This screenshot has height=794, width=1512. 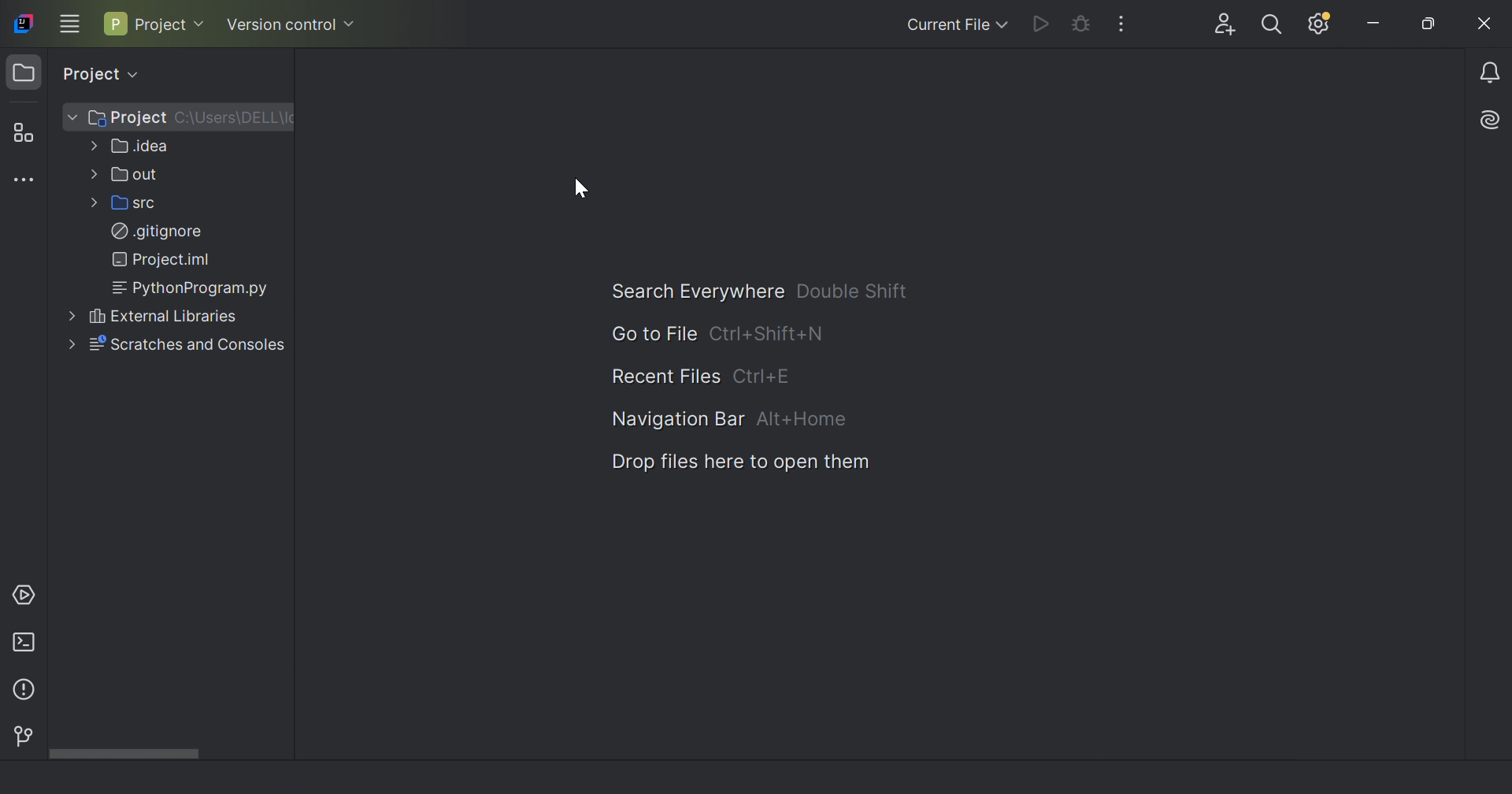 What do you see at coordinates (1122, 23) in the screenshot?
I see `More actions` at bounding box center [1122, 23].